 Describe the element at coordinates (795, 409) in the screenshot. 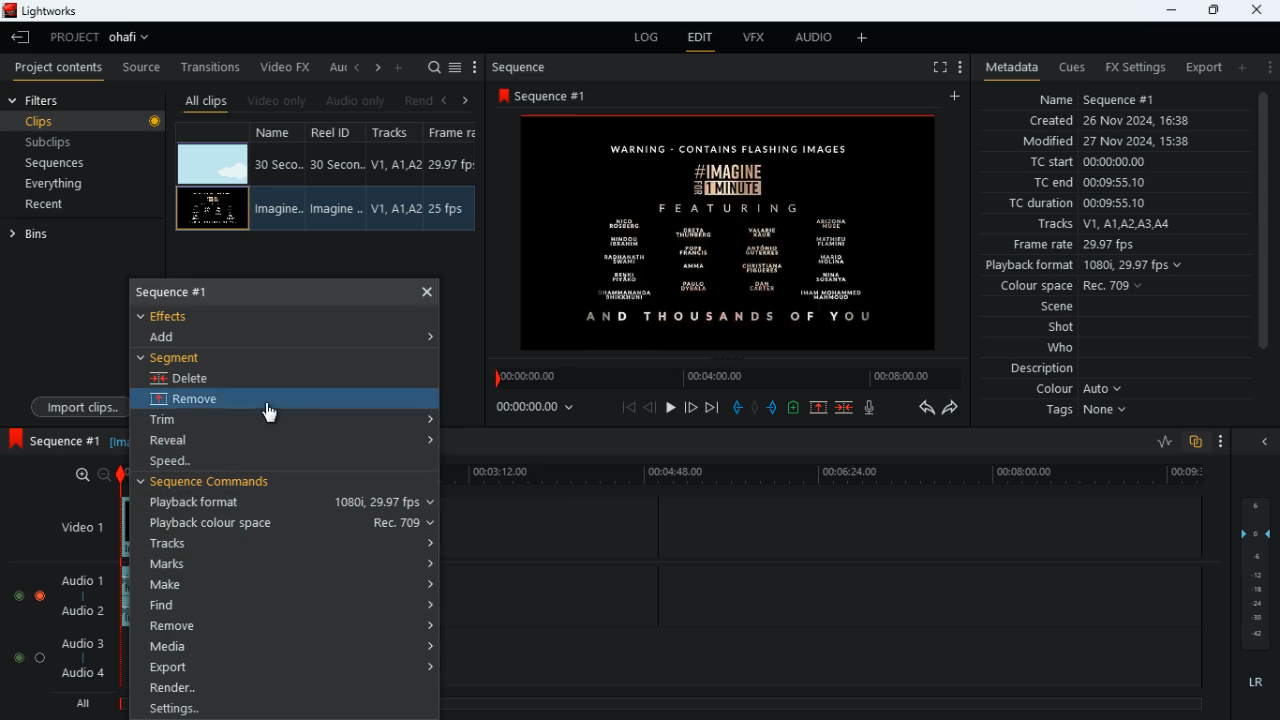

I see `battery` at that location.